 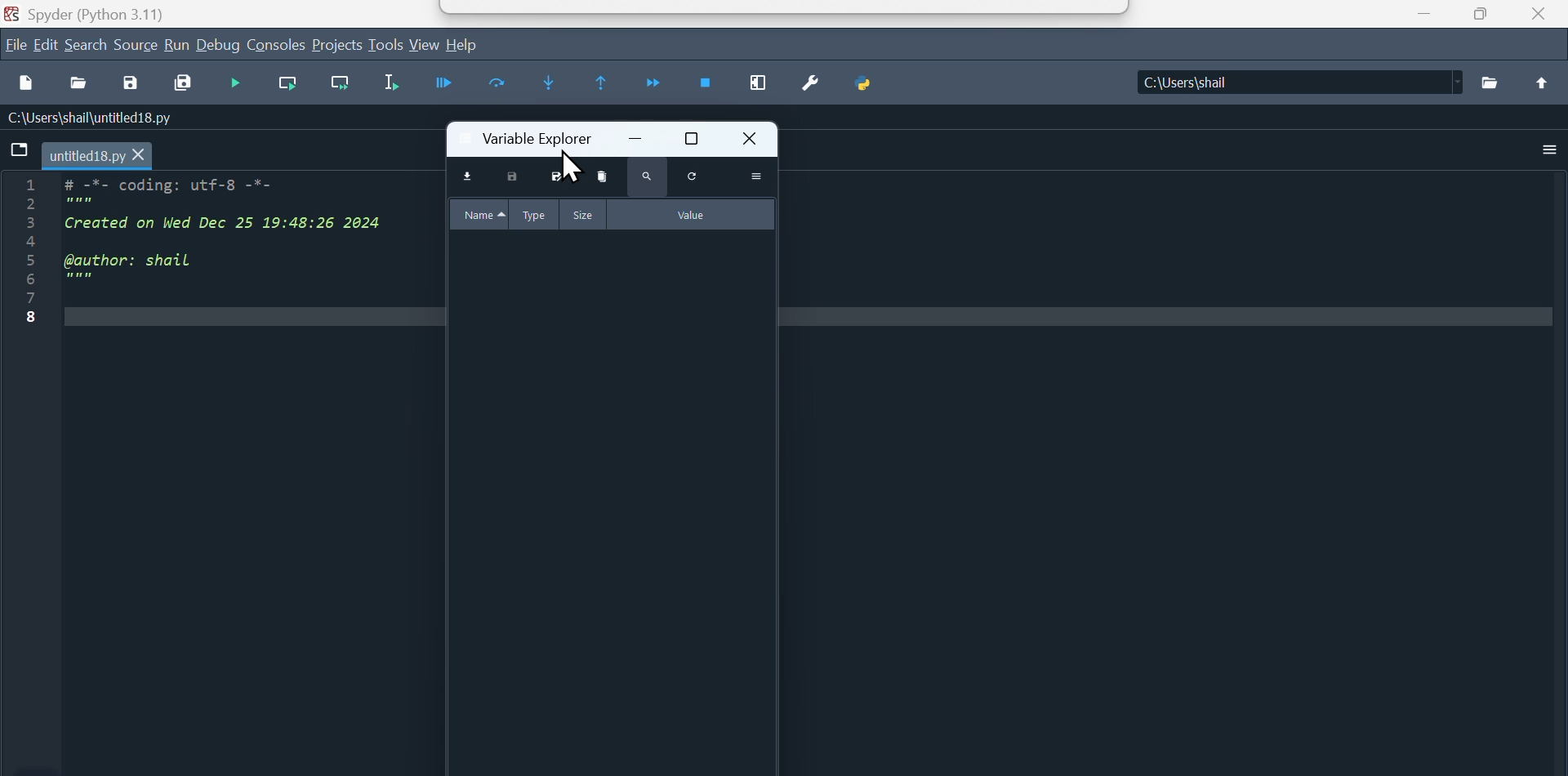 What do you see at coordinates (1547, 83) in the screenshot?
I see `icon` at bounding box center [1547, 83].